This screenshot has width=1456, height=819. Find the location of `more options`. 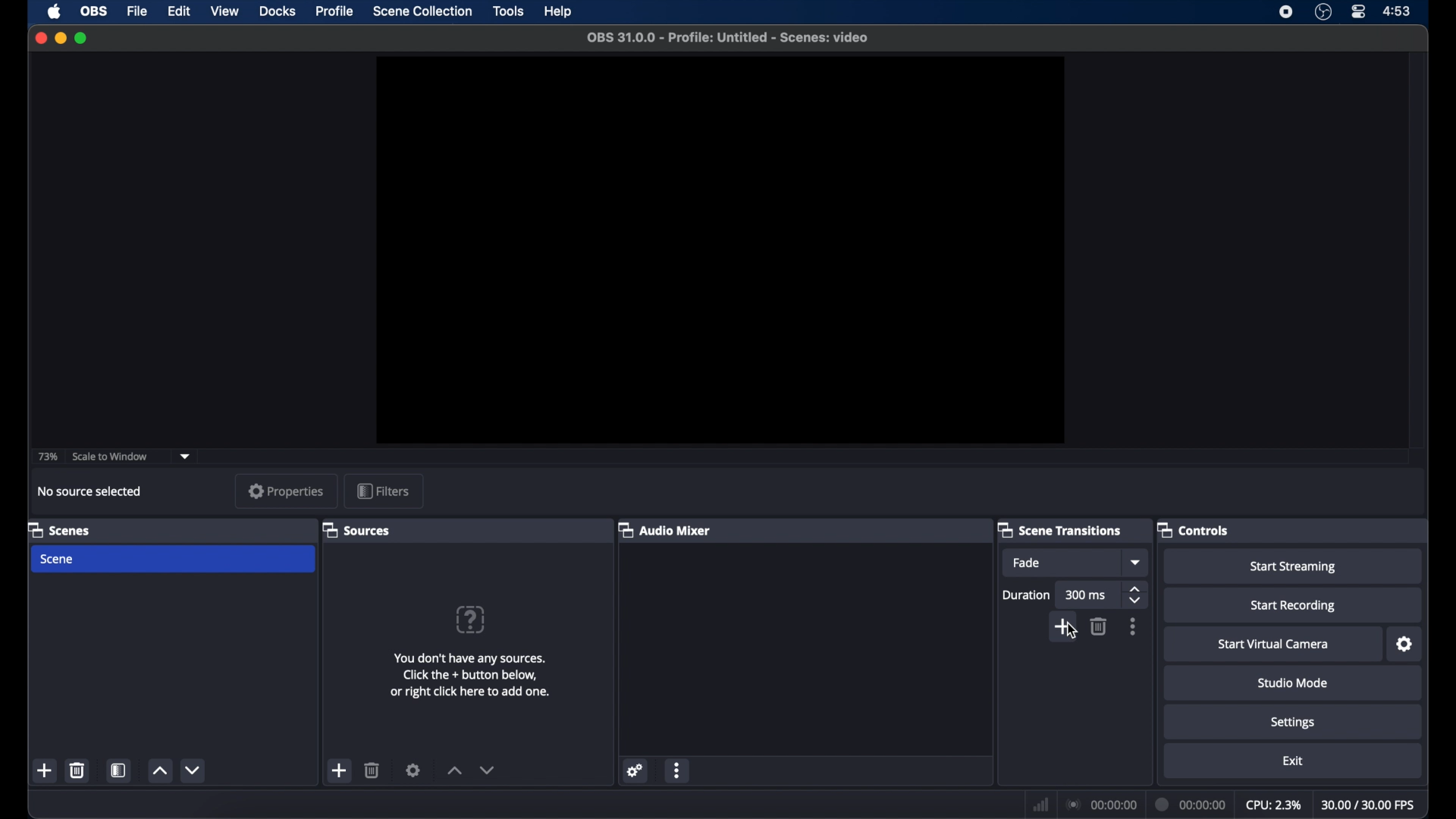

more options is located at coordinates (679, 771).